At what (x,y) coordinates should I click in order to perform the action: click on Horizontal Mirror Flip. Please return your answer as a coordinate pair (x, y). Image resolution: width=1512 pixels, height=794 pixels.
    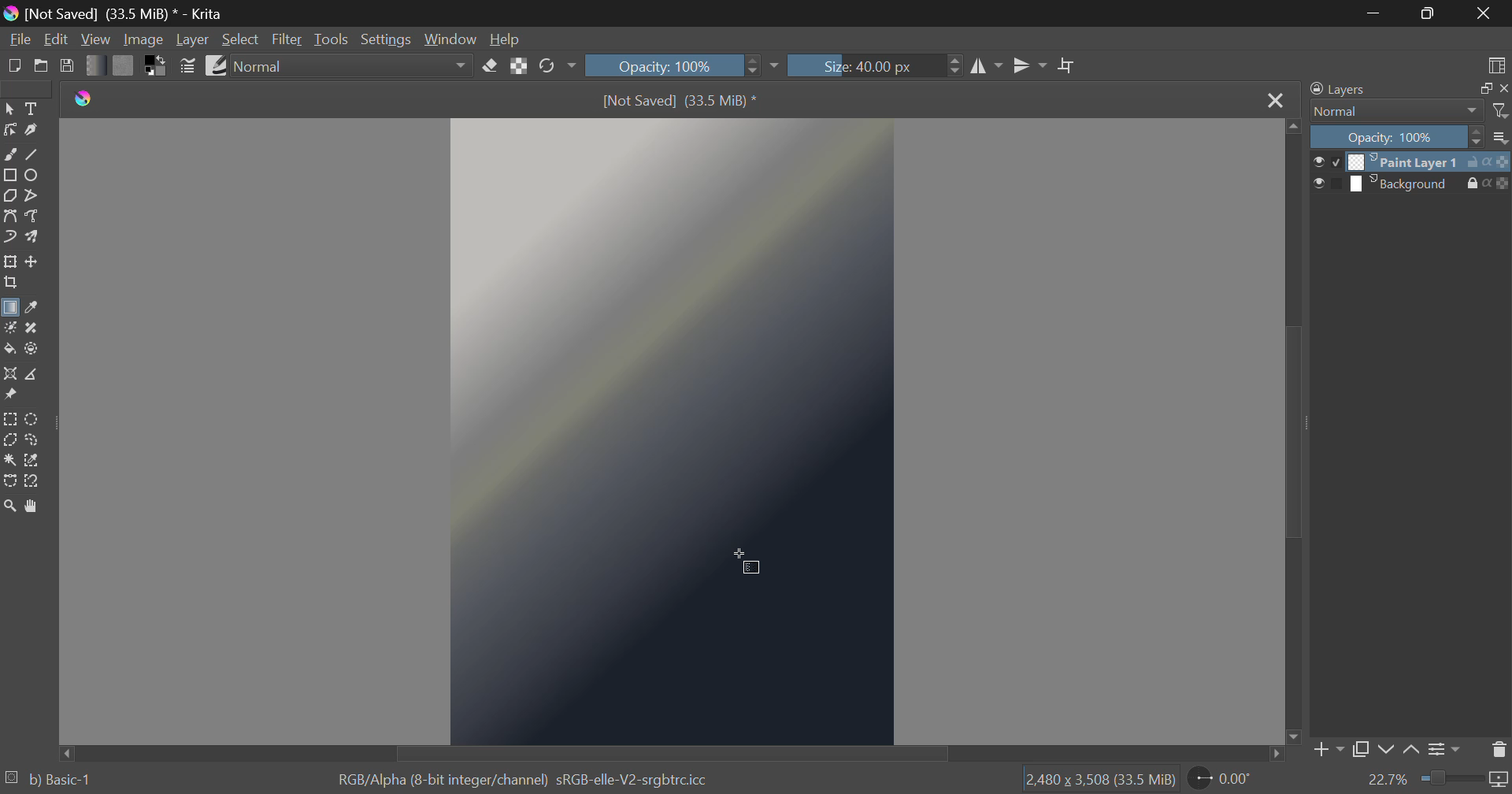
    Looking at the image, I should click on (1026, 68).